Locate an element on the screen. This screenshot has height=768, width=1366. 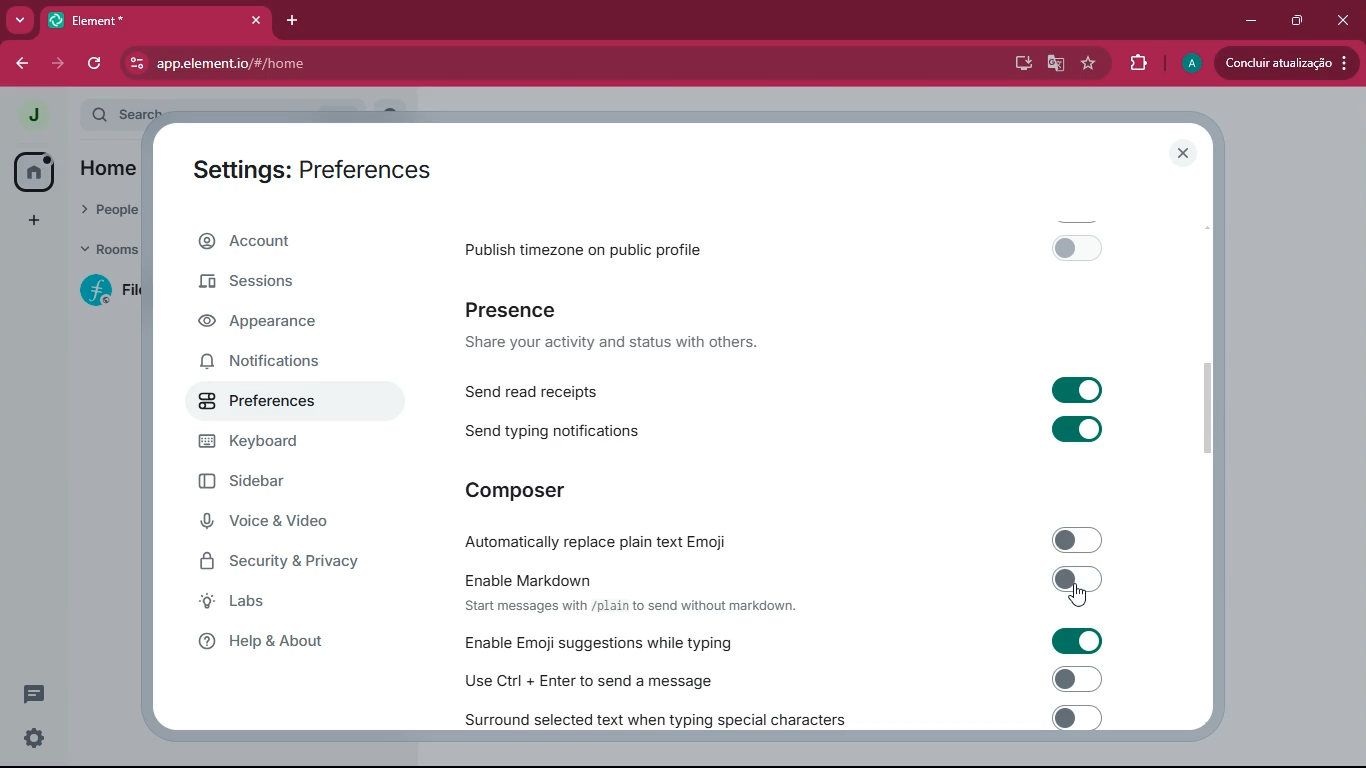
preferences is located at coordinates (273, 409).